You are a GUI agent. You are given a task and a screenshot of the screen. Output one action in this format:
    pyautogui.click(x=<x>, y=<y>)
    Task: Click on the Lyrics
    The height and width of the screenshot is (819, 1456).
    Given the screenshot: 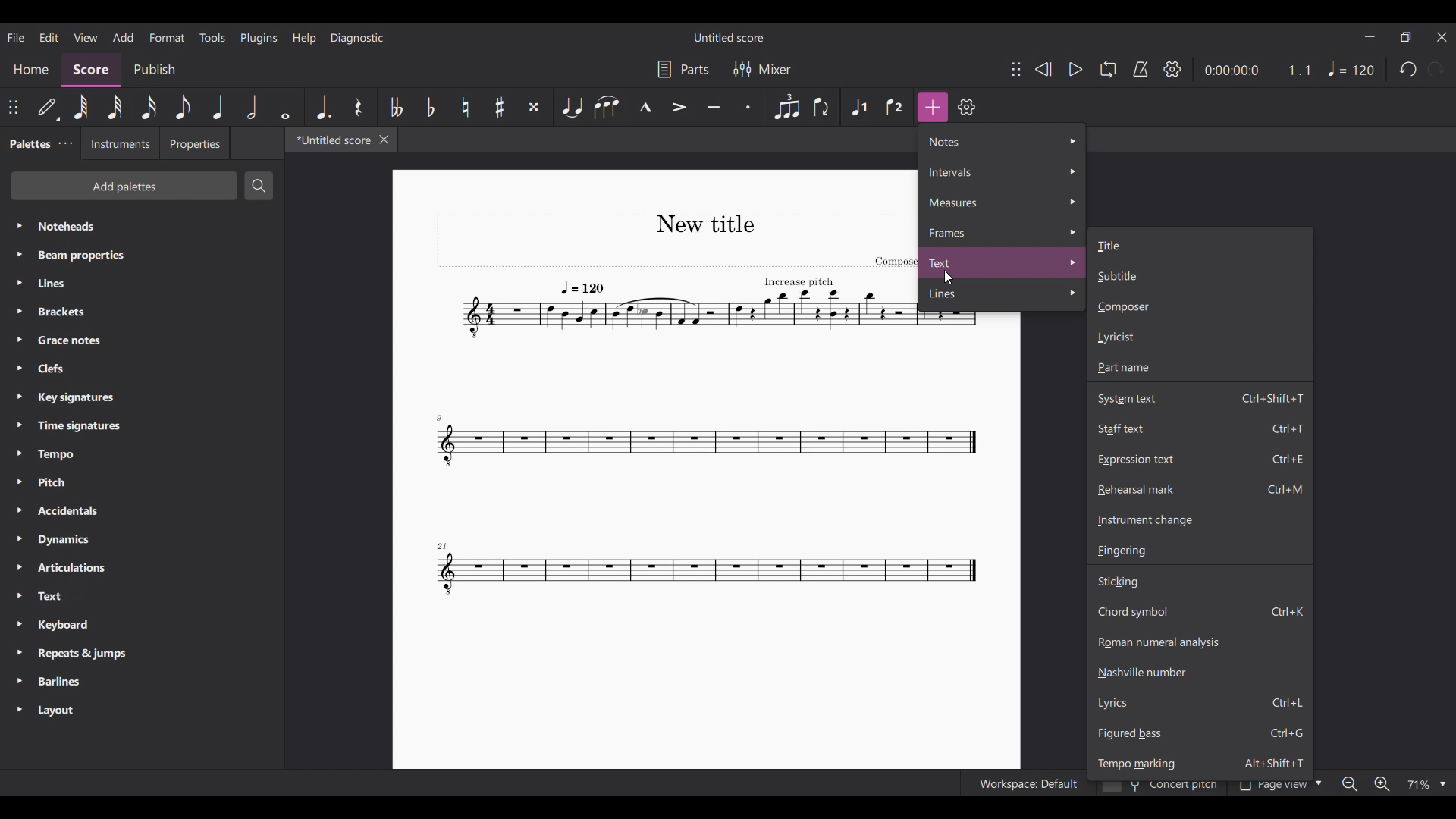 What is the action you would take?
    pyautogui.click(x=1200, y=704)
    